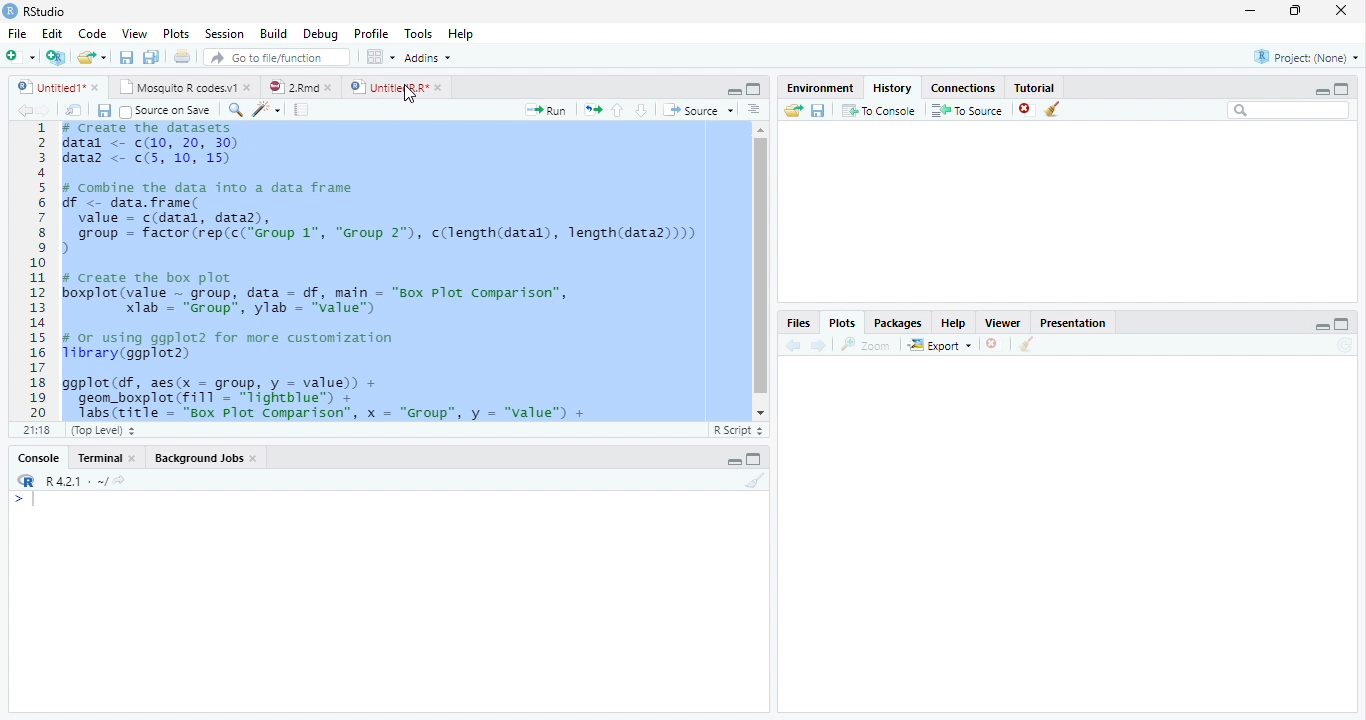 This screenshot has width=1366, height=720. What do you see at coordinates (1342, 89) in the screenshot?
I see `Maximize` at bounding box center [1342, 89].